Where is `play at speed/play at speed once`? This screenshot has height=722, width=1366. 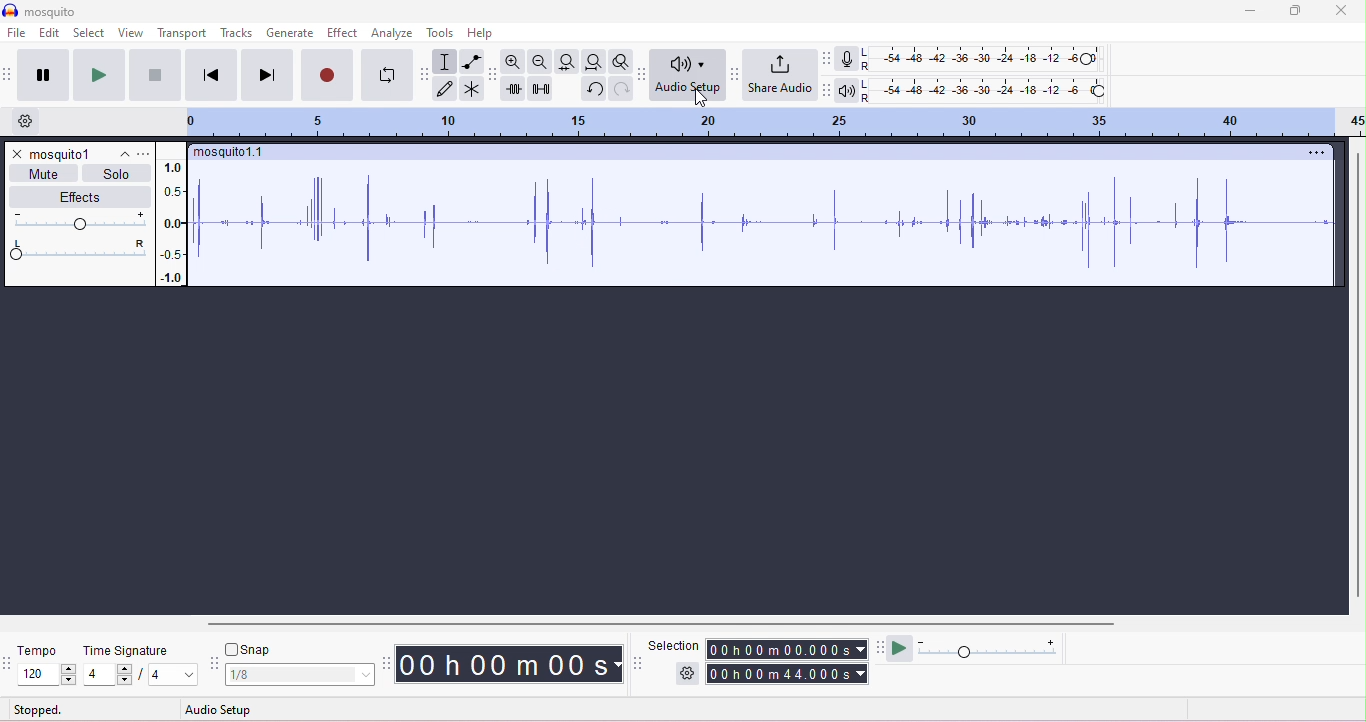
play at speed/play at speed once is located at coordinates (900, 646).